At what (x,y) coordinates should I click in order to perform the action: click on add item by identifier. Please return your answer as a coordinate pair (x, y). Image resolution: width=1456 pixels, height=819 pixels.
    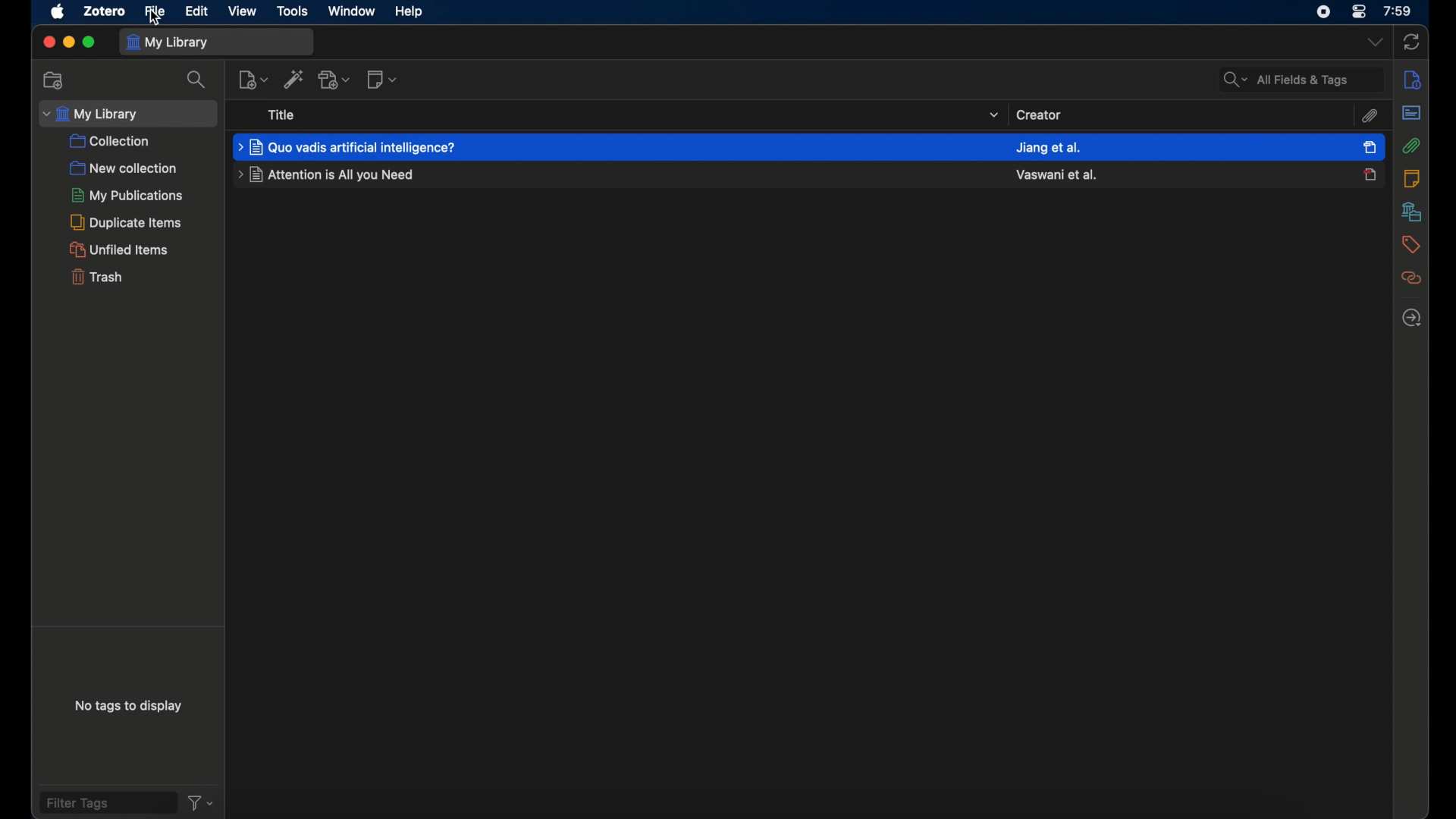
    Looking at the image, I should click on (293, 80).